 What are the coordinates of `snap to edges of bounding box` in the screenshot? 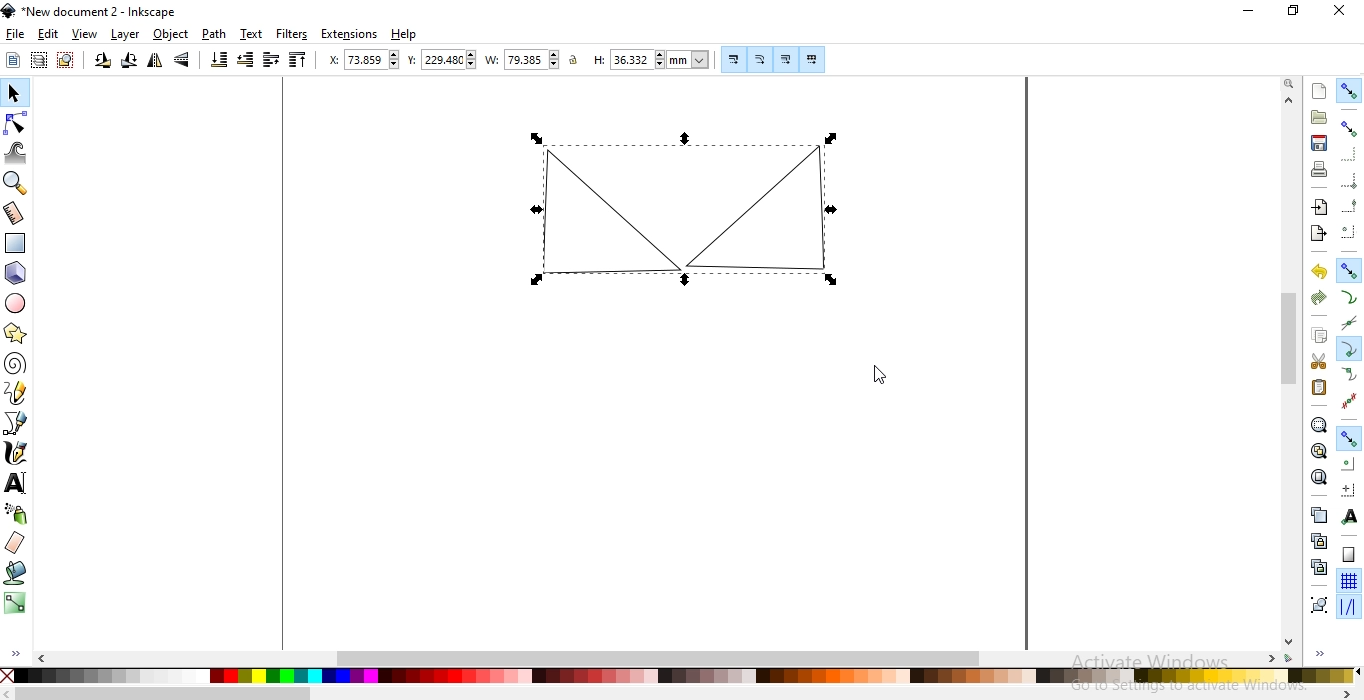 It's located at (1348, 152).